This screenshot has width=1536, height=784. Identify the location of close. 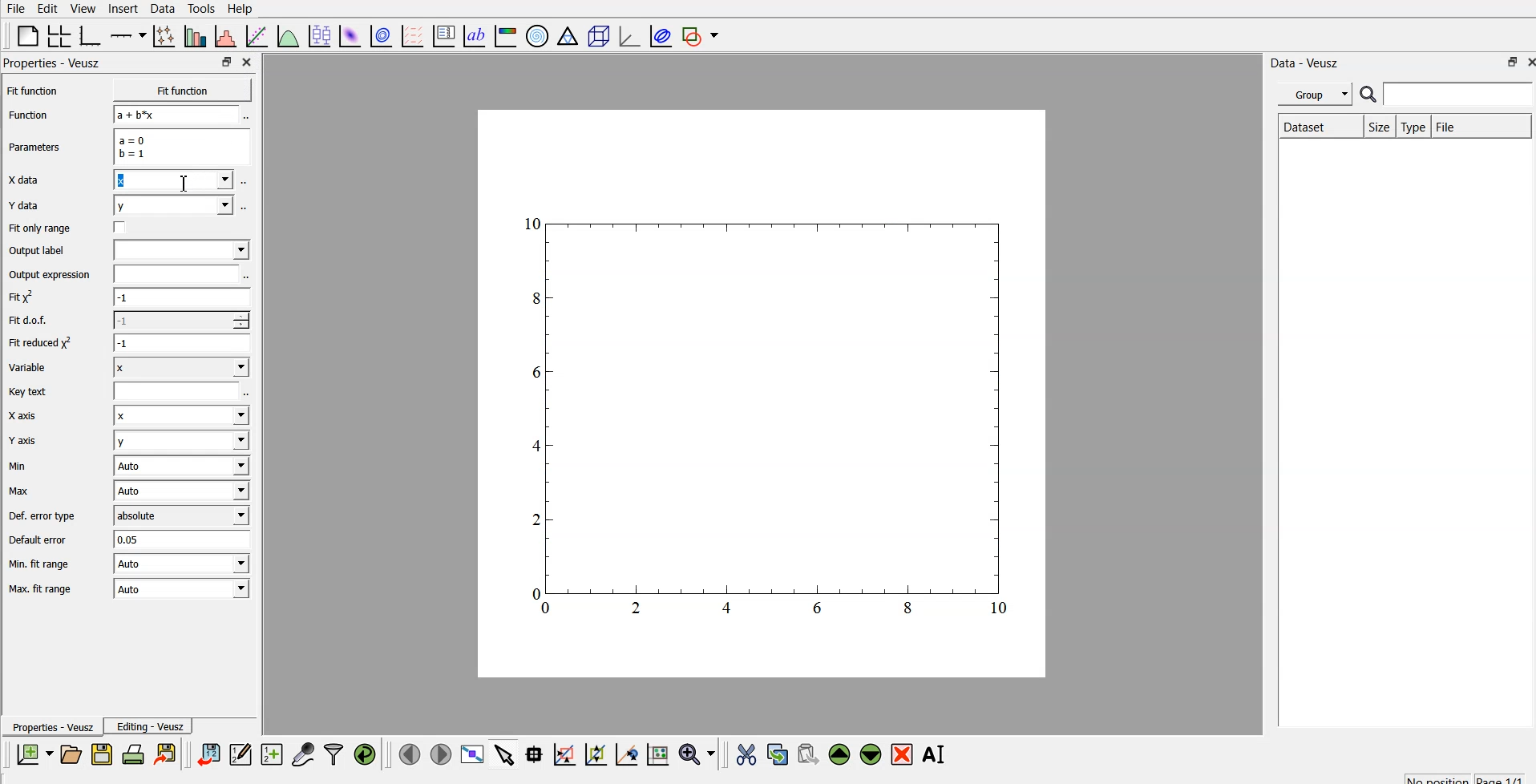
(249, 63).